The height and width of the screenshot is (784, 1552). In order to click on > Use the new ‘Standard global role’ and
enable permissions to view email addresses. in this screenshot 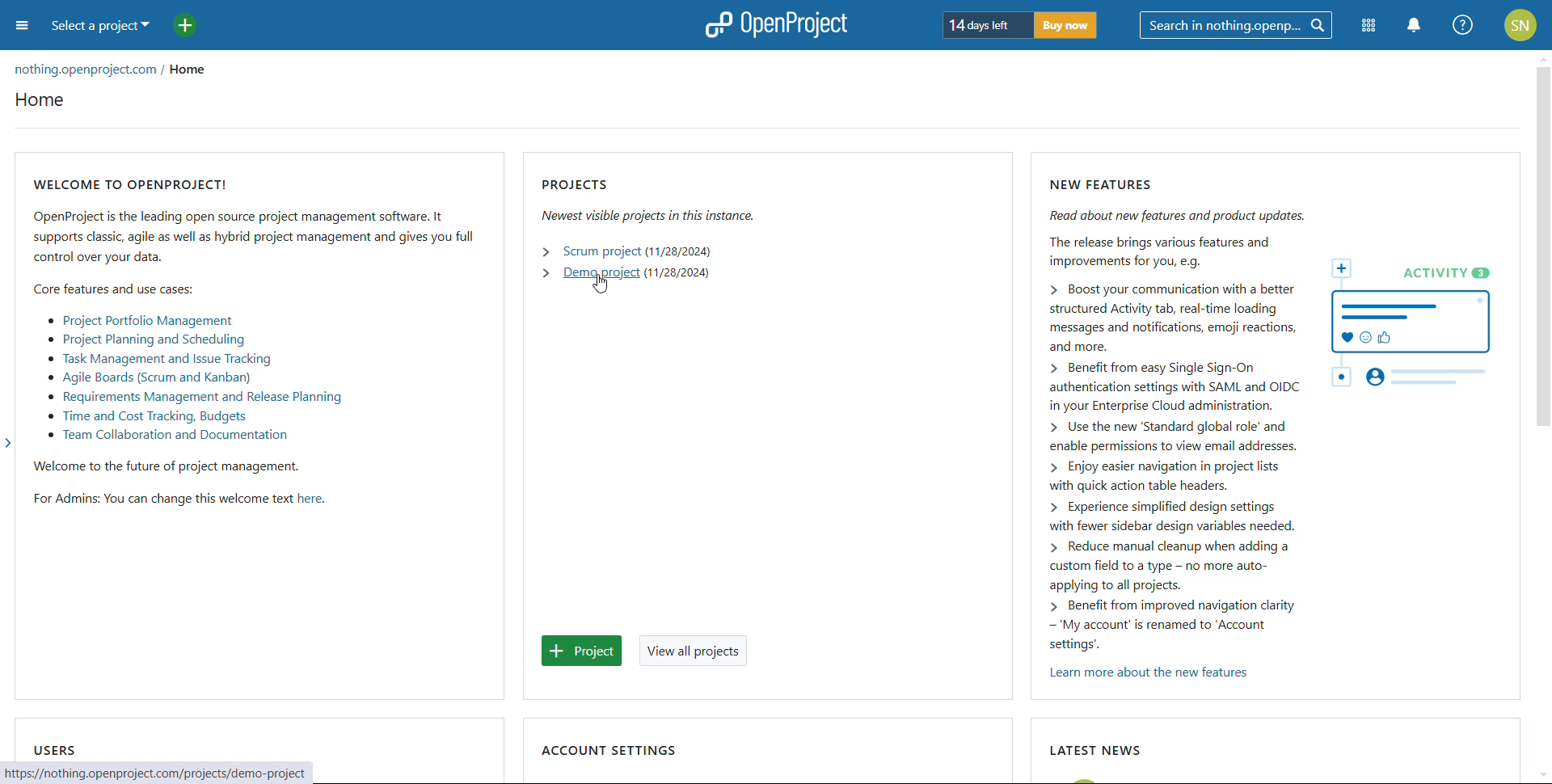, I will do `click(1200, 436)`.